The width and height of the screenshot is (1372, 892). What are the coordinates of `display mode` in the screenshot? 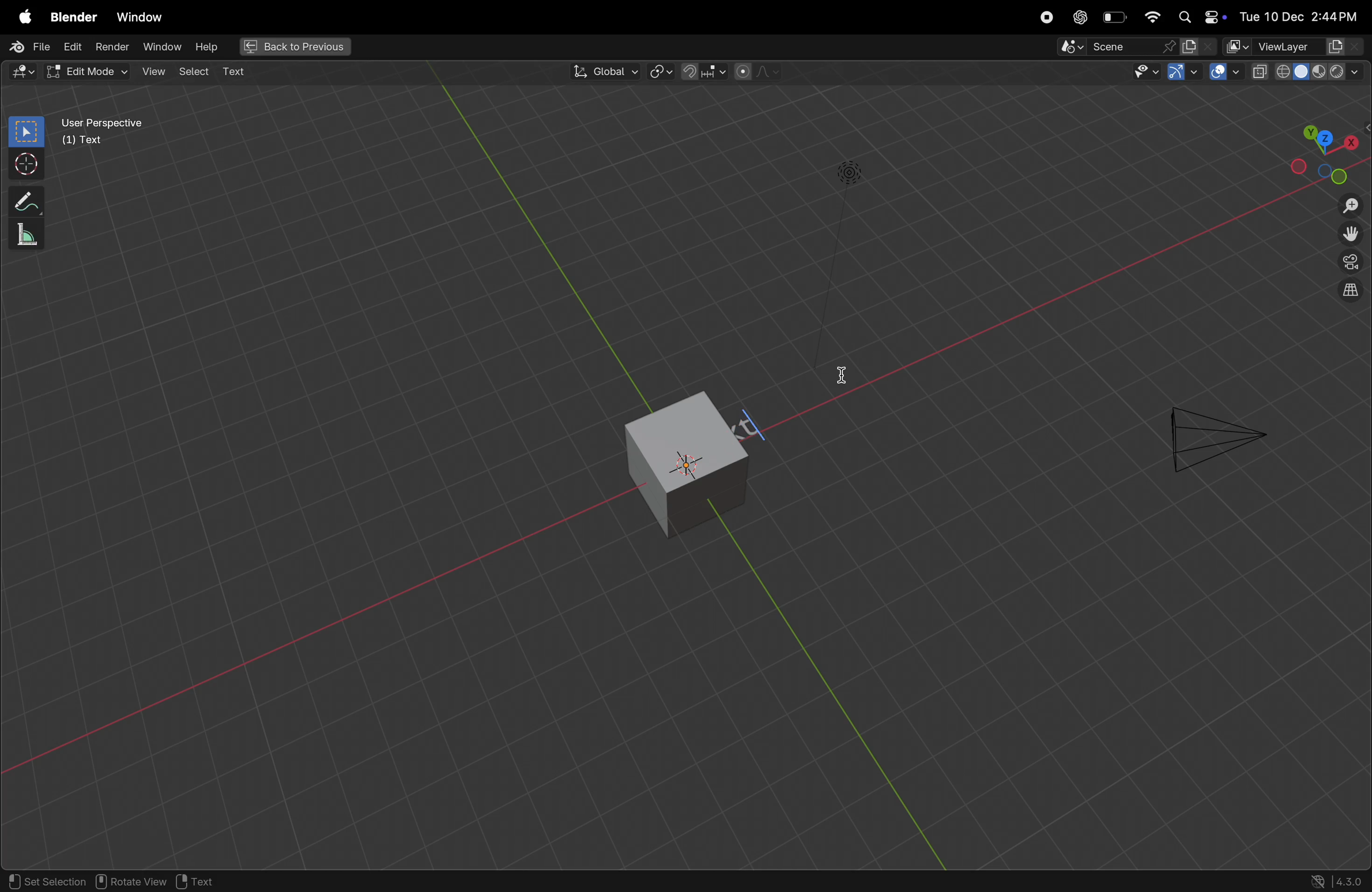 It's located at (1199, 47).